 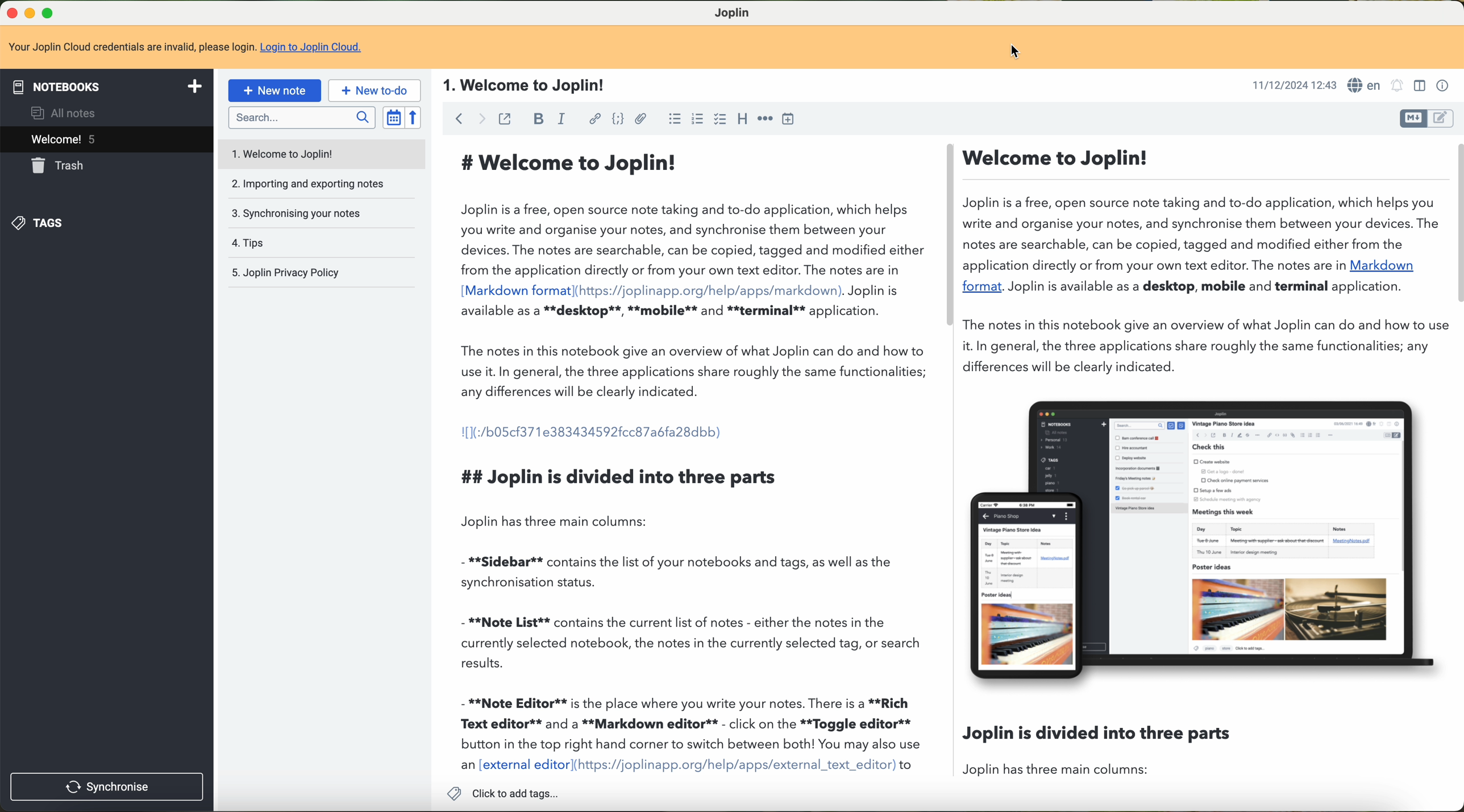 What do you see at coordinates (480, 118) in the screenshot?
I see `navigate foward ` at bounding box center [480, 118].